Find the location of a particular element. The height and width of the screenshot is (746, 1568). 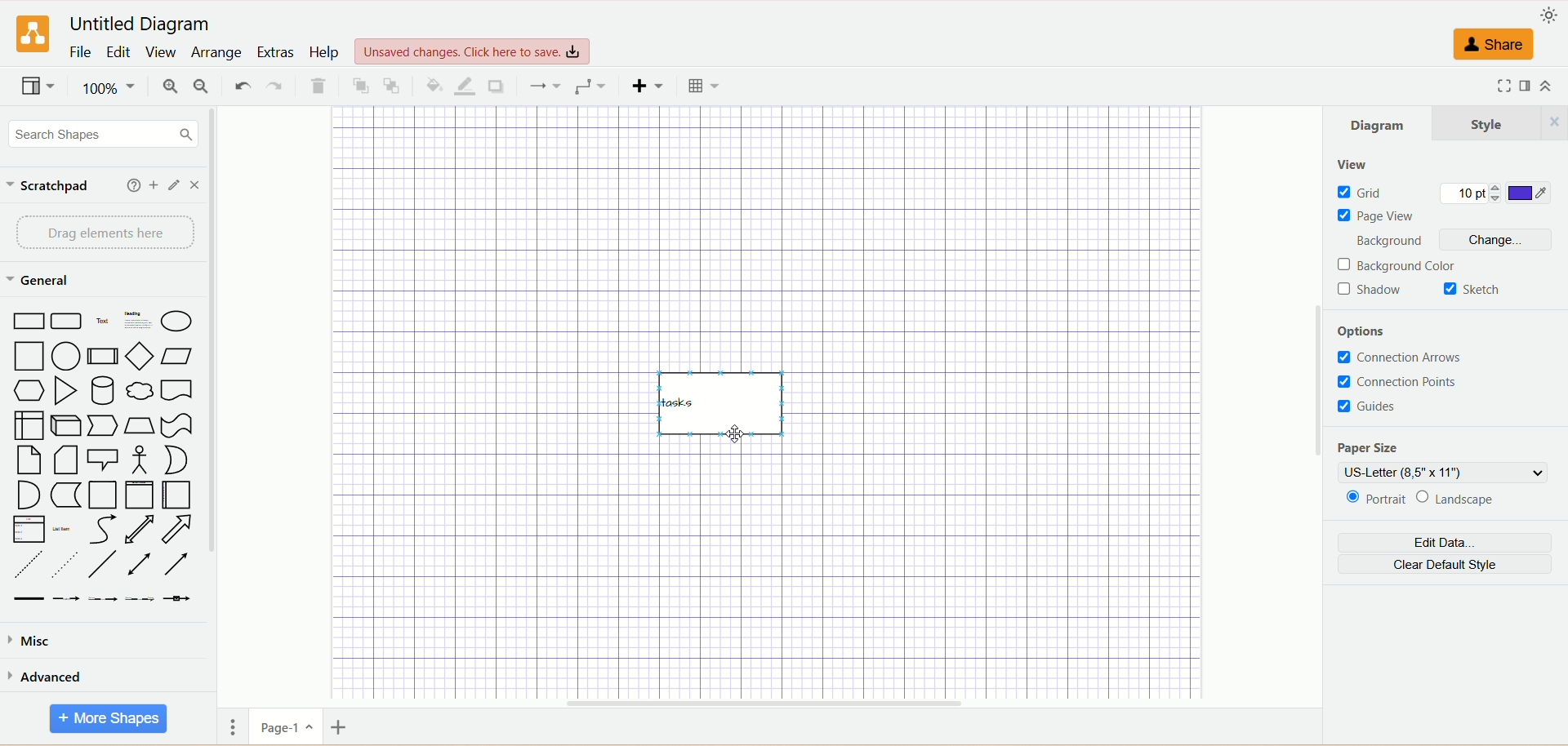

Vertical Page is located at coordinates (140, 496).